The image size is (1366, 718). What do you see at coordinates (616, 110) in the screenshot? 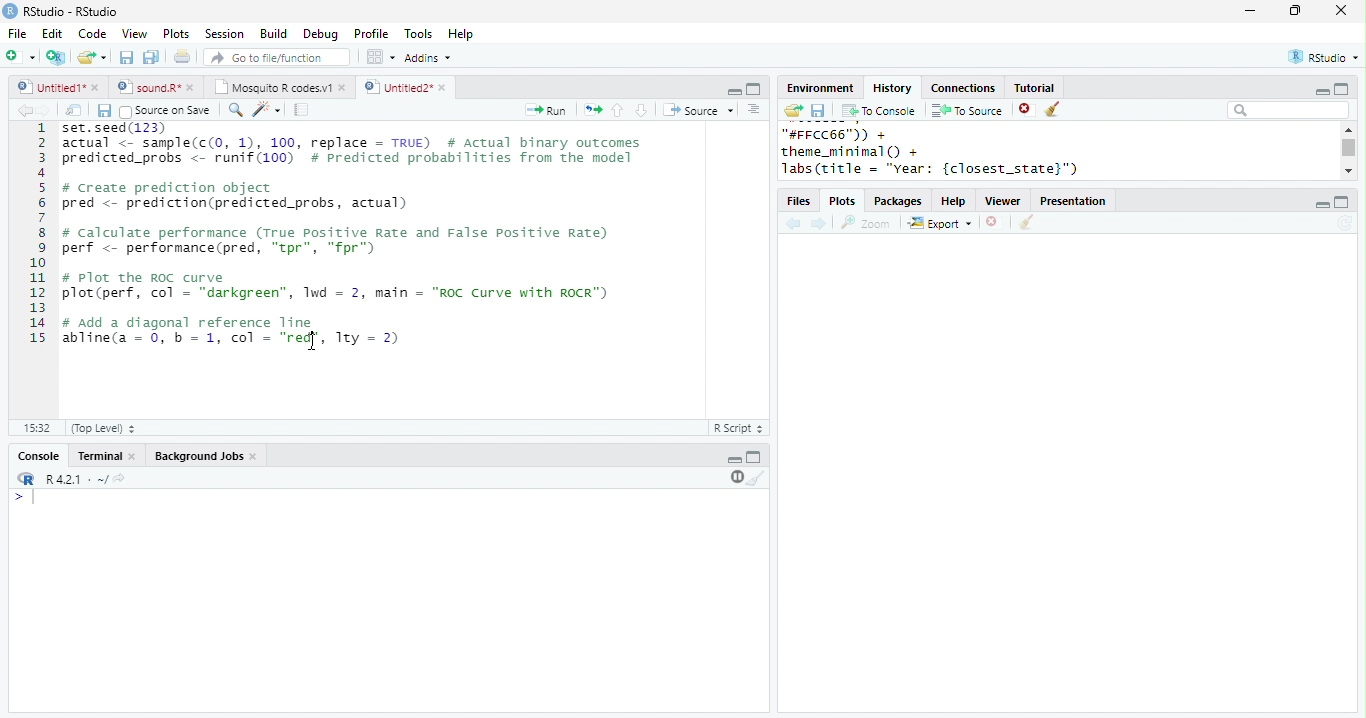
I see `up` at bounding box center [616, 110].